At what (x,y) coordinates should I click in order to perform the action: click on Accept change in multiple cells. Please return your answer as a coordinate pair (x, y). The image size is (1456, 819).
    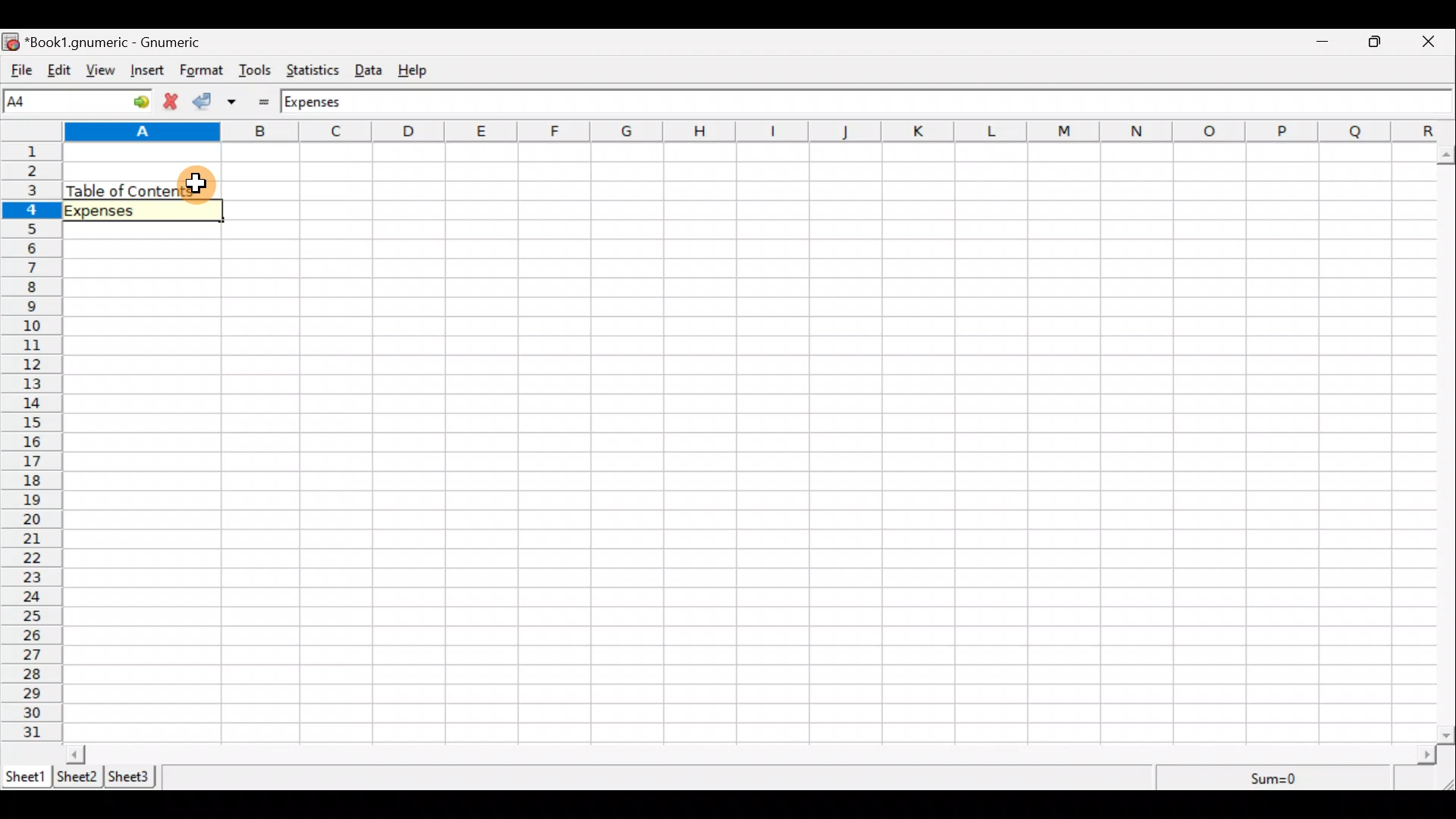
    Looking at the image, I should click on (237, 102).